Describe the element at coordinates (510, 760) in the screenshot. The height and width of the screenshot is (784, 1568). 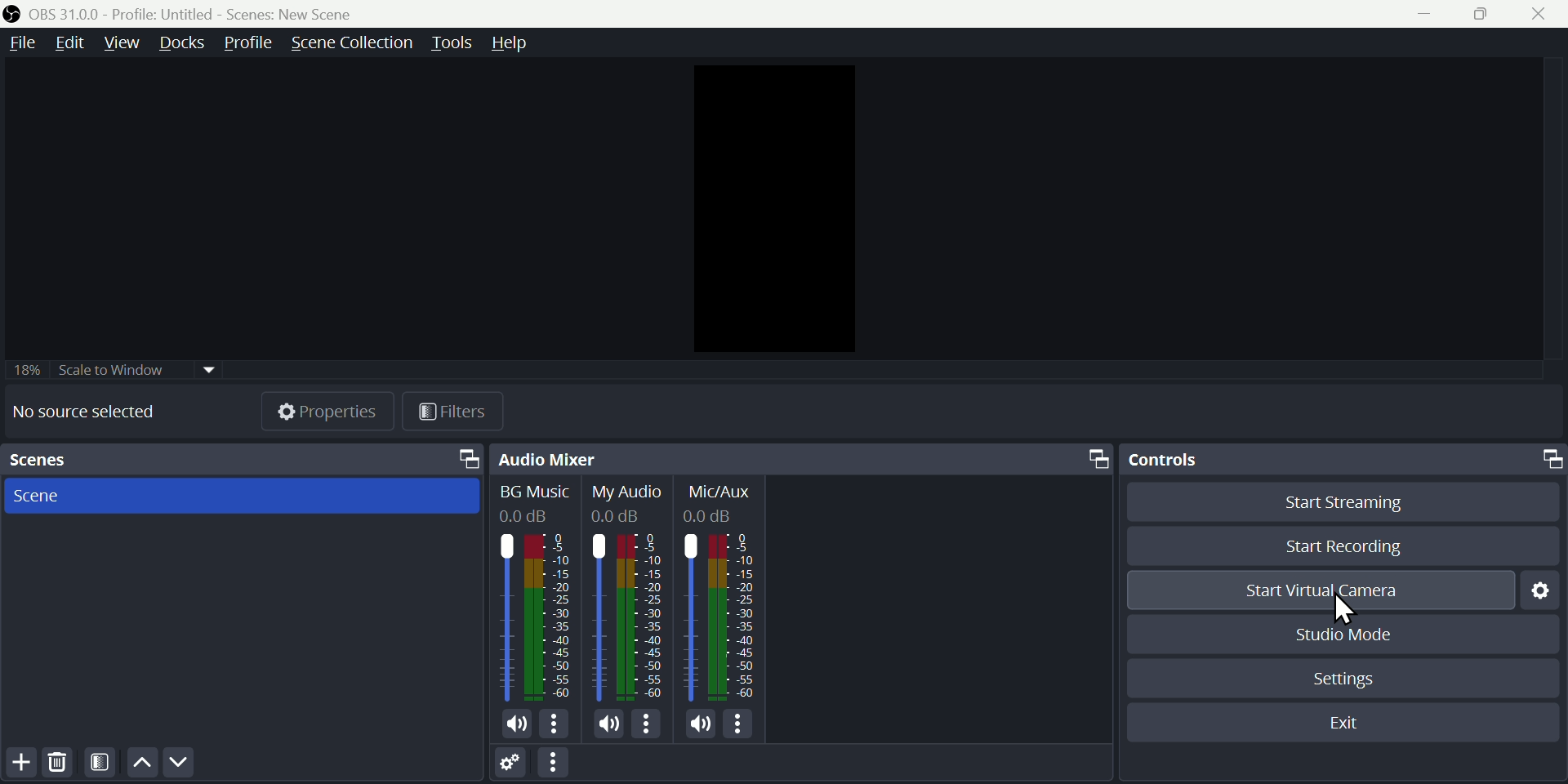
I see `Settings` at that location.